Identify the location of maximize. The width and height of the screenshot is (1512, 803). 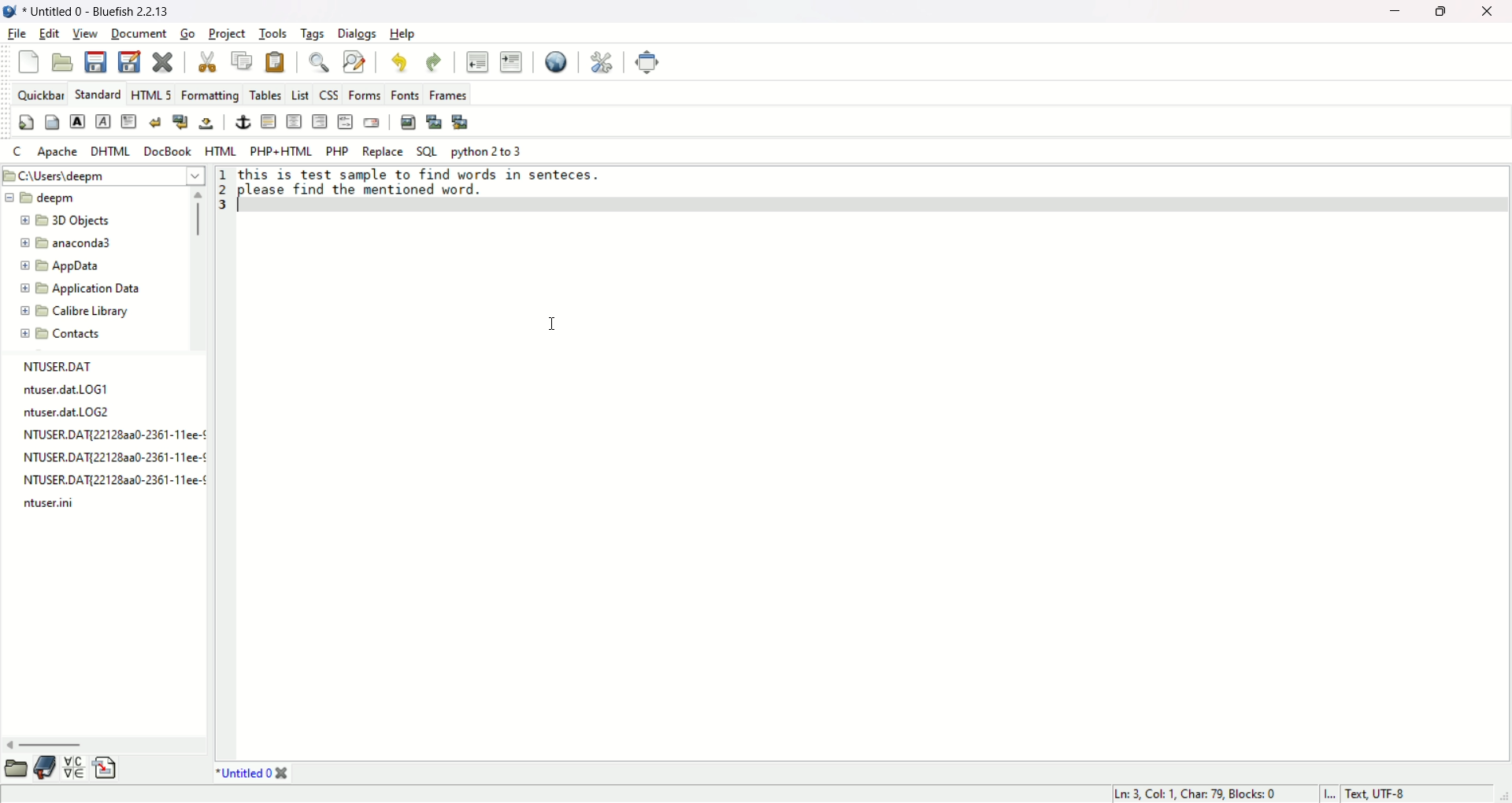
(1442, 13).